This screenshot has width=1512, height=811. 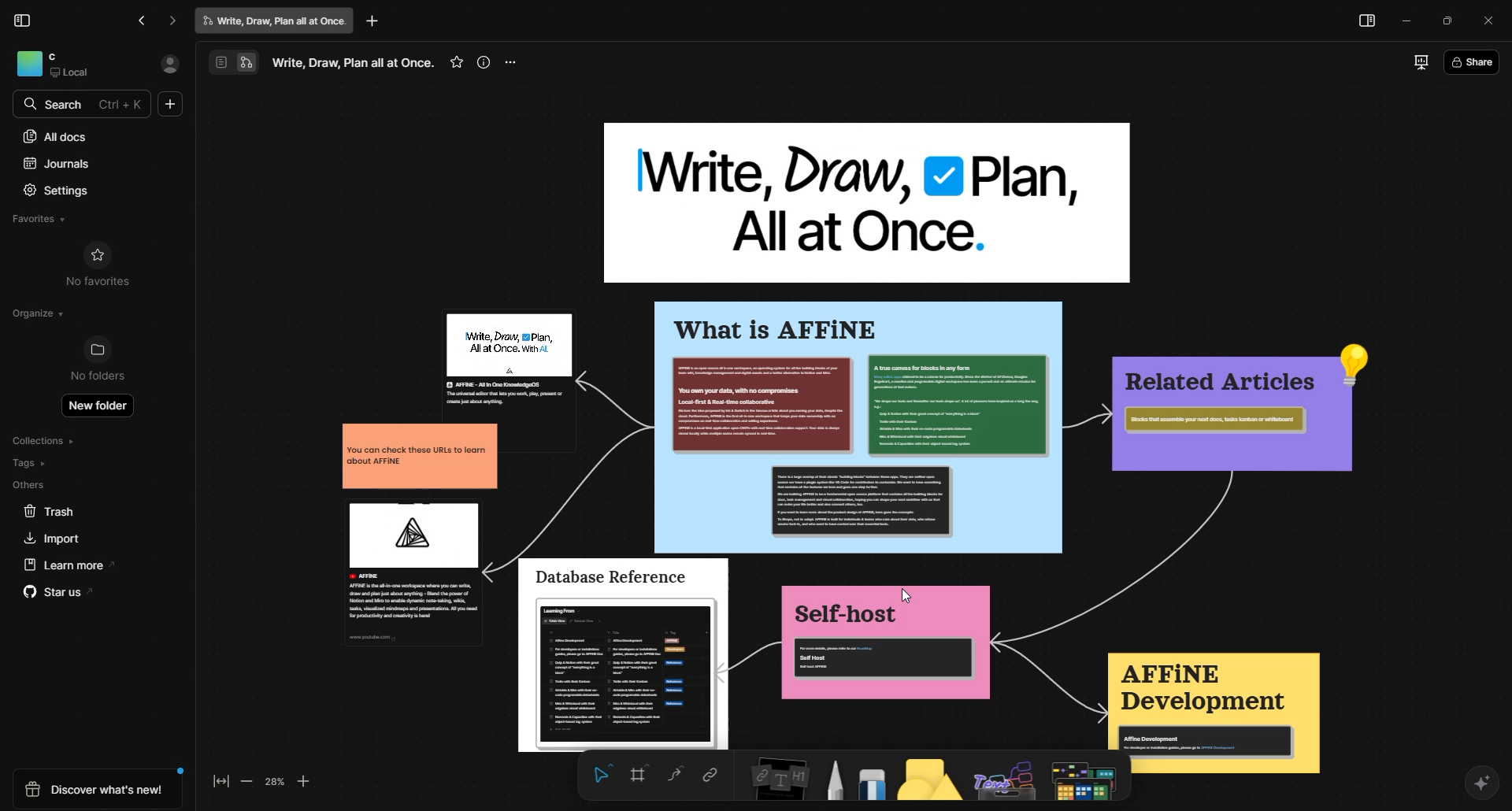 What do you see at coordinates (927, 781) in the screenshot?
I see `Shapes` at bounding box center [927, 781].